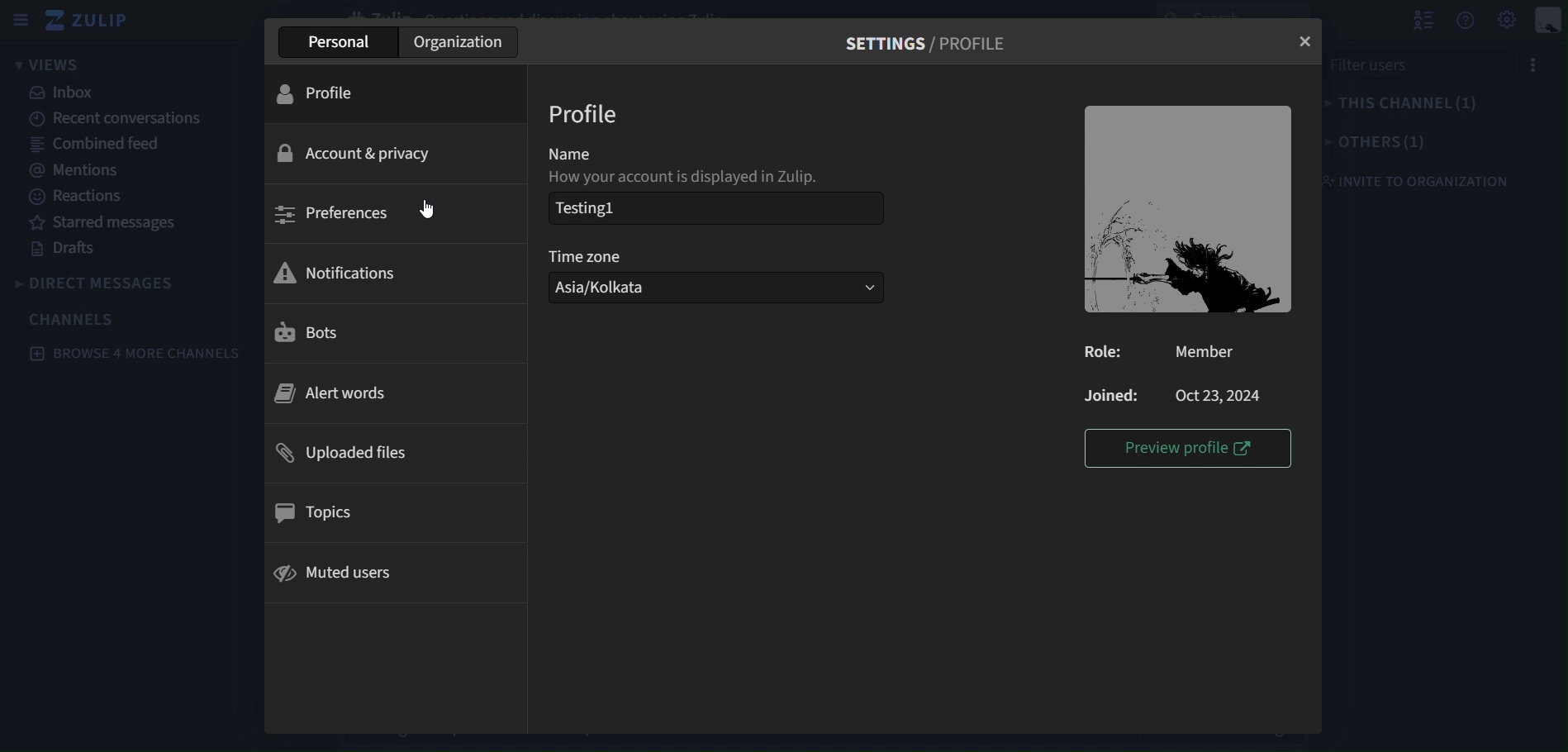 This screenshot has height=752, width=1568. Describe the element at coordinates (461, 42) in the screenshot. I see `organization` at that location.